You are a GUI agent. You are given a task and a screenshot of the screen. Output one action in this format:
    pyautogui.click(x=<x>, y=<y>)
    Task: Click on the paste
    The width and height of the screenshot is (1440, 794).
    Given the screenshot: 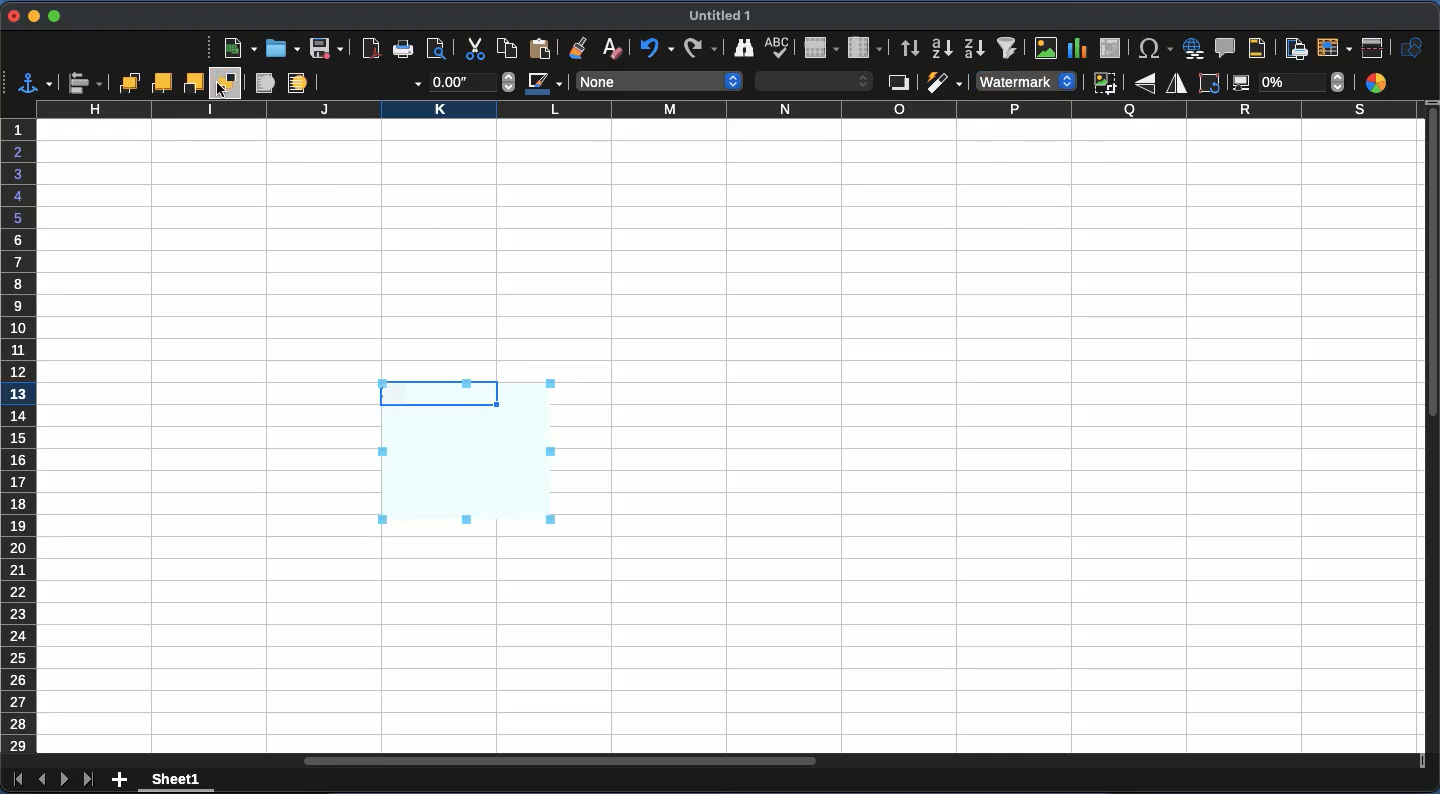 What is the action you would take?
    pyautogui.click(x=505, y=47)
    